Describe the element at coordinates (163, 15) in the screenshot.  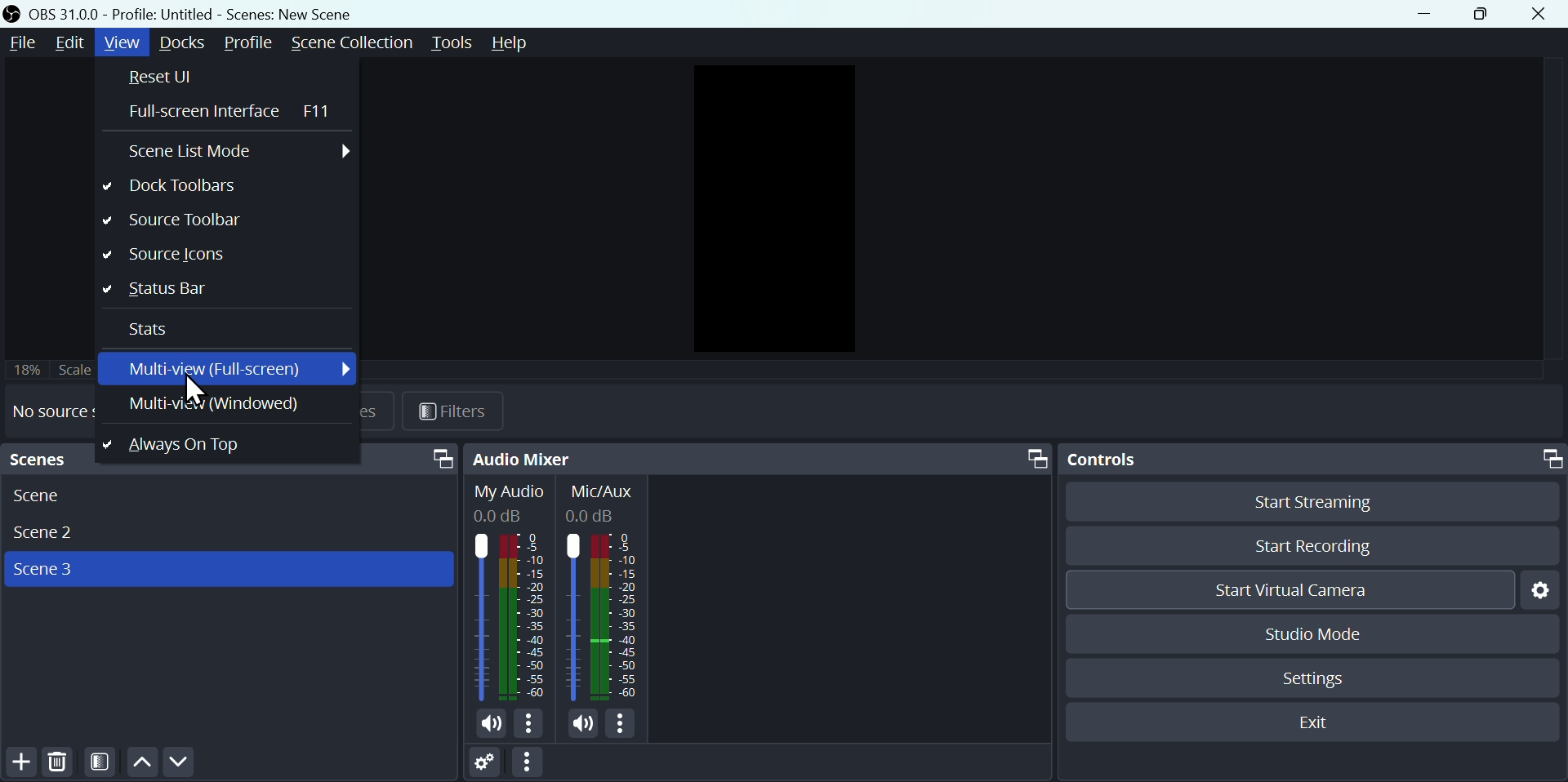
I see `Profile Title` at that location.